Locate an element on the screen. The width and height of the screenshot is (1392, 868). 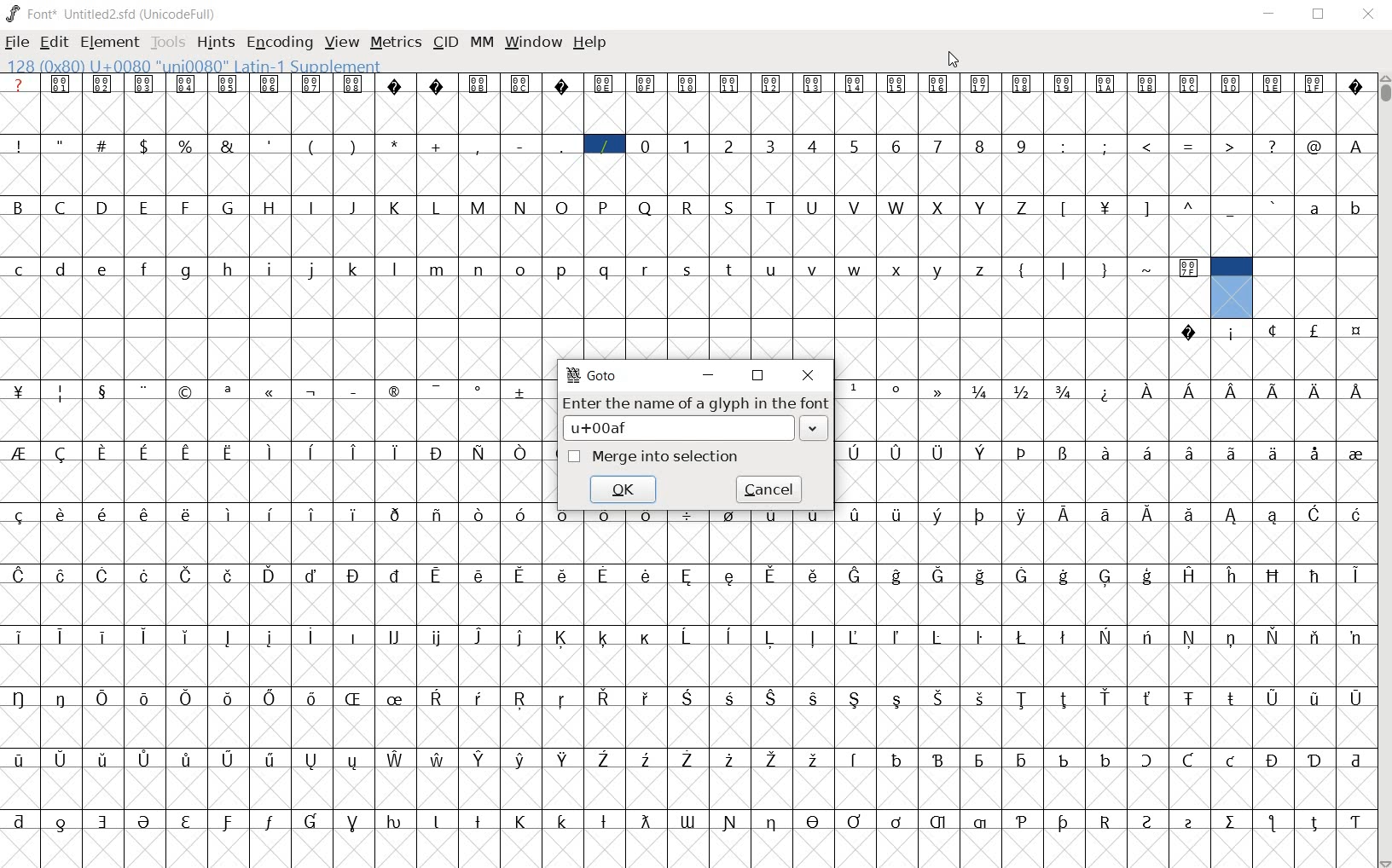
e is located at coordinates (103, 268).